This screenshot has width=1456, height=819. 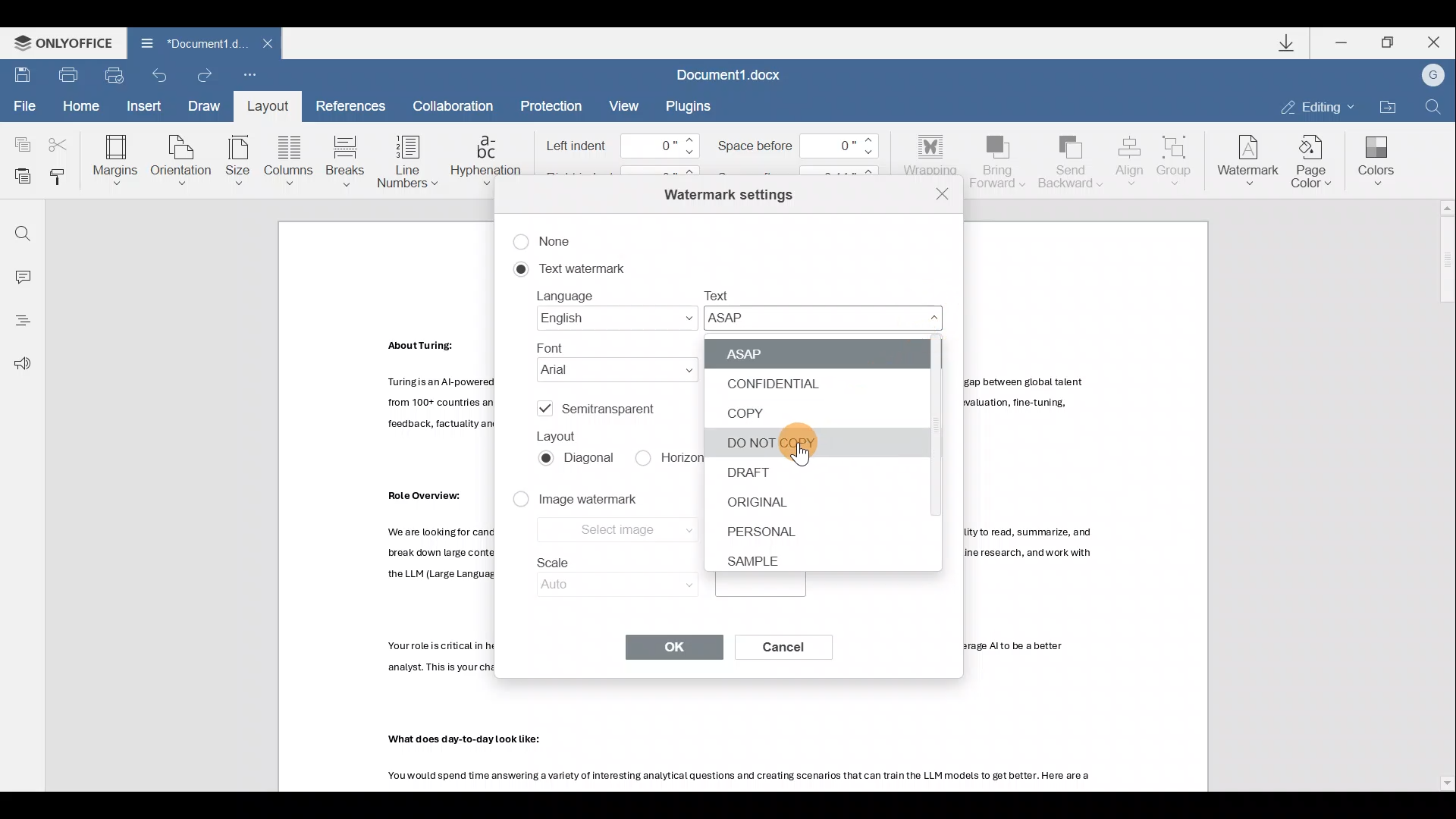 What do you see at coordinates (86, 106) in the screenshot?
I see `Home` at bounding box center [86, 106].